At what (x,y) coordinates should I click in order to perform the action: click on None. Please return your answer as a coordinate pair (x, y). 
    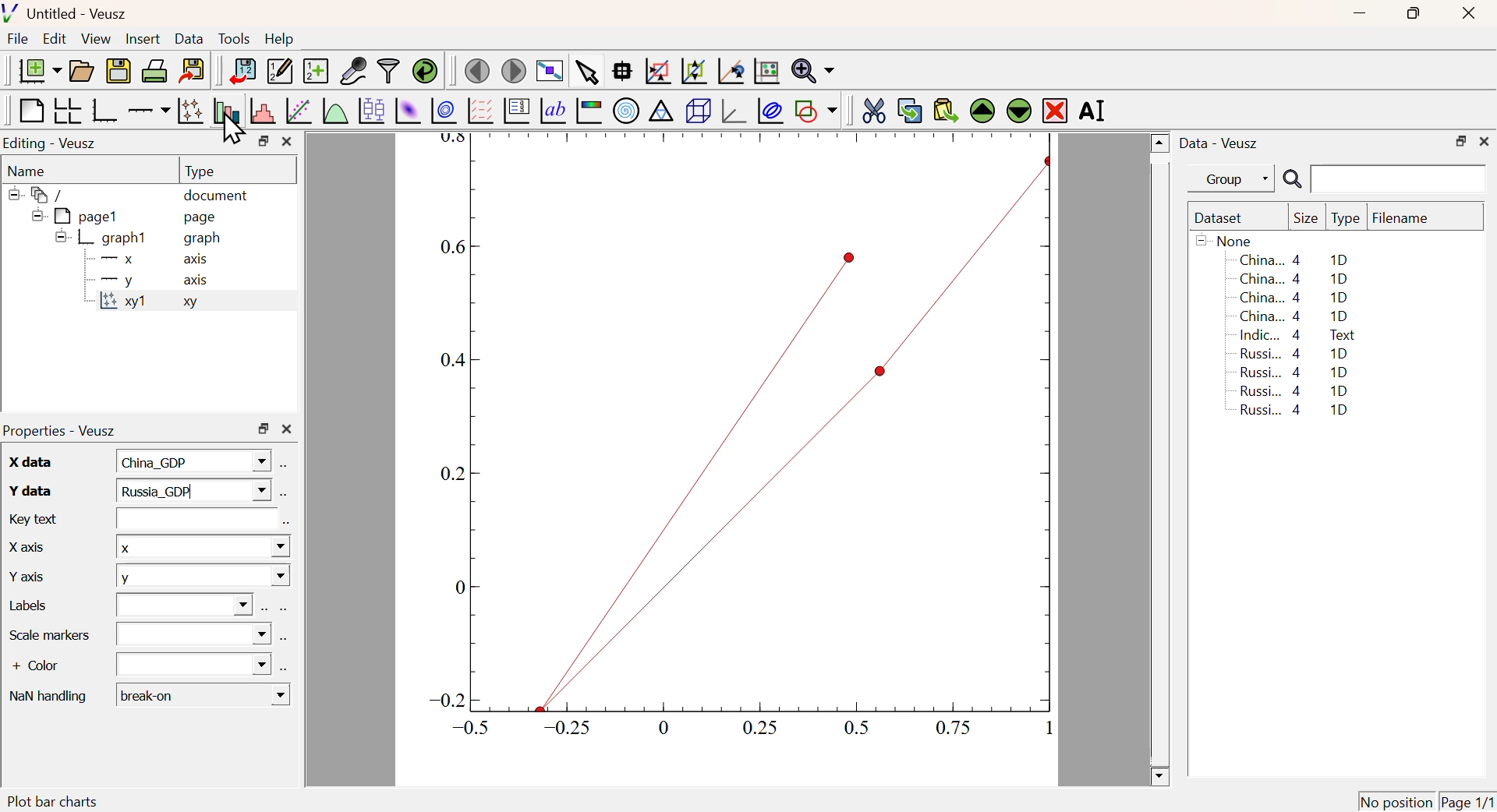
    Looking at the image, I should click on (1226, 240).